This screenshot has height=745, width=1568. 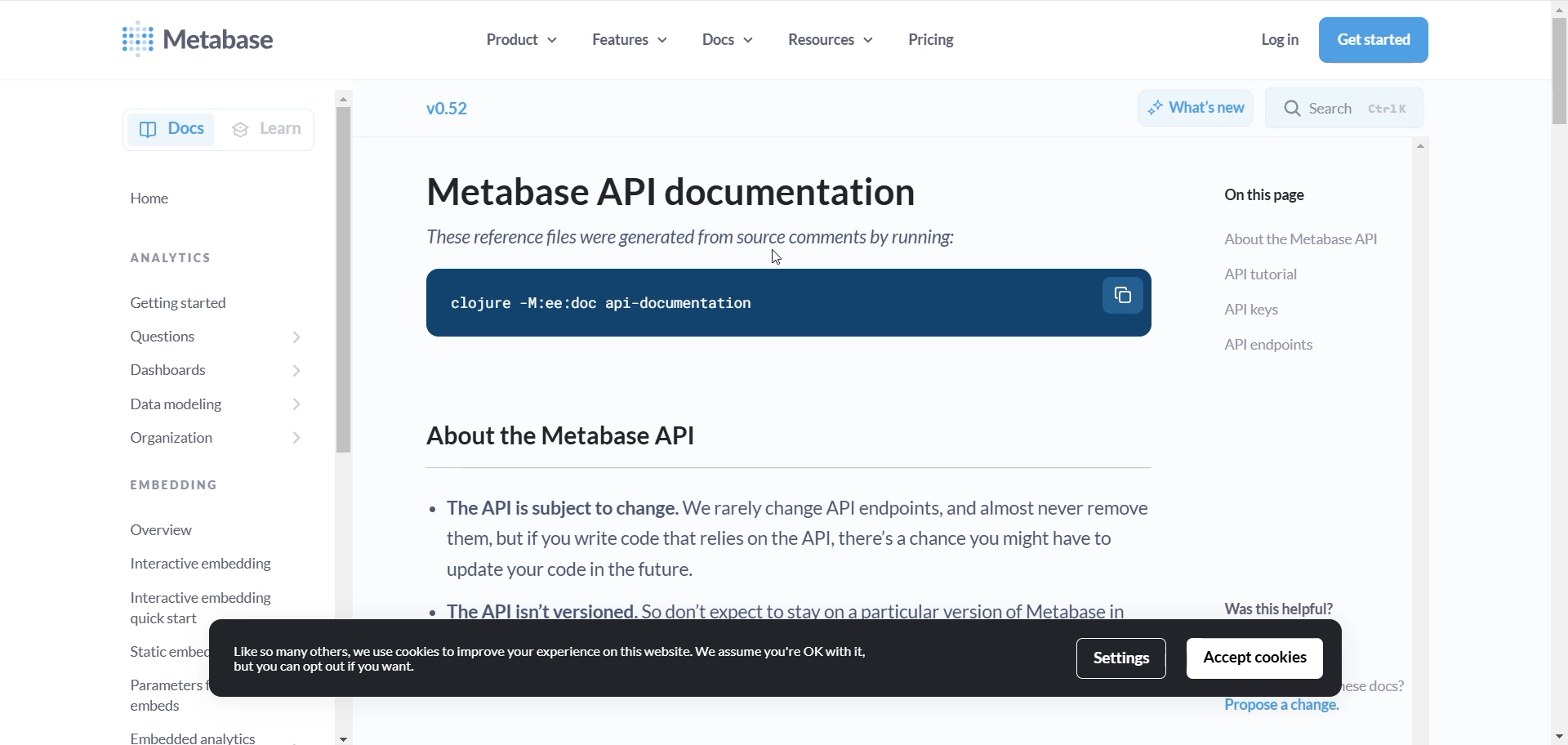 I want to click on getting started, so click(x=189, y=298).